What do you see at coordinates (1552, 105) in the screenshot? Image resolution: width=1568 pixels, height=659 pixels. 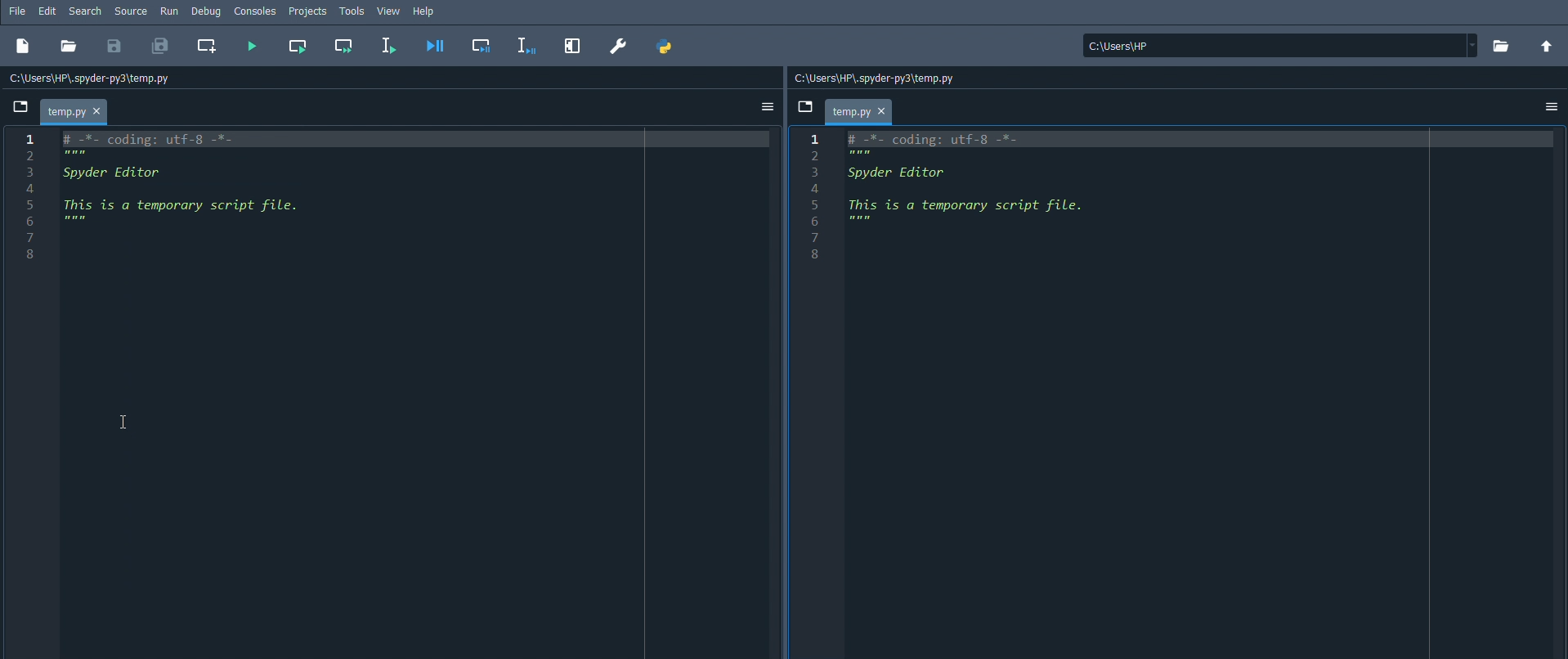 I see `Options` at bounding box center [1552, 105].